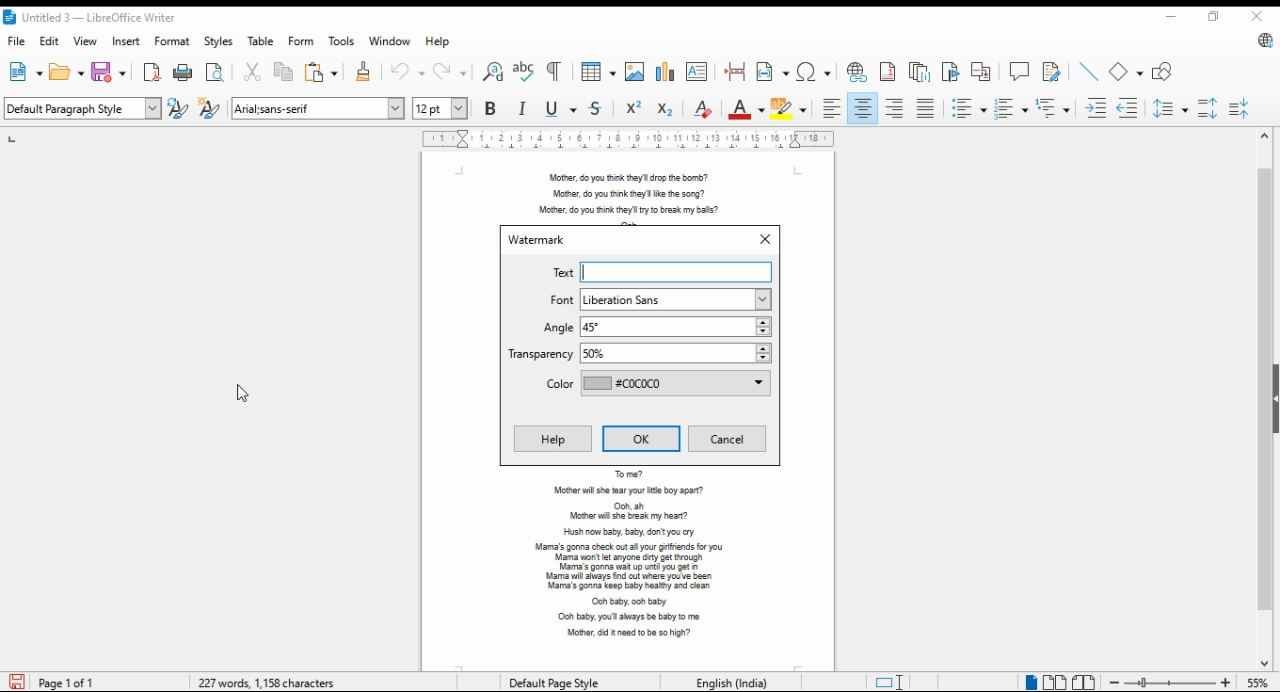 The width and height of the screenshot is (1280, 692). Describe the element at coordinates (1170, 109) in the screenshot. I see `set line spacing` at that location.